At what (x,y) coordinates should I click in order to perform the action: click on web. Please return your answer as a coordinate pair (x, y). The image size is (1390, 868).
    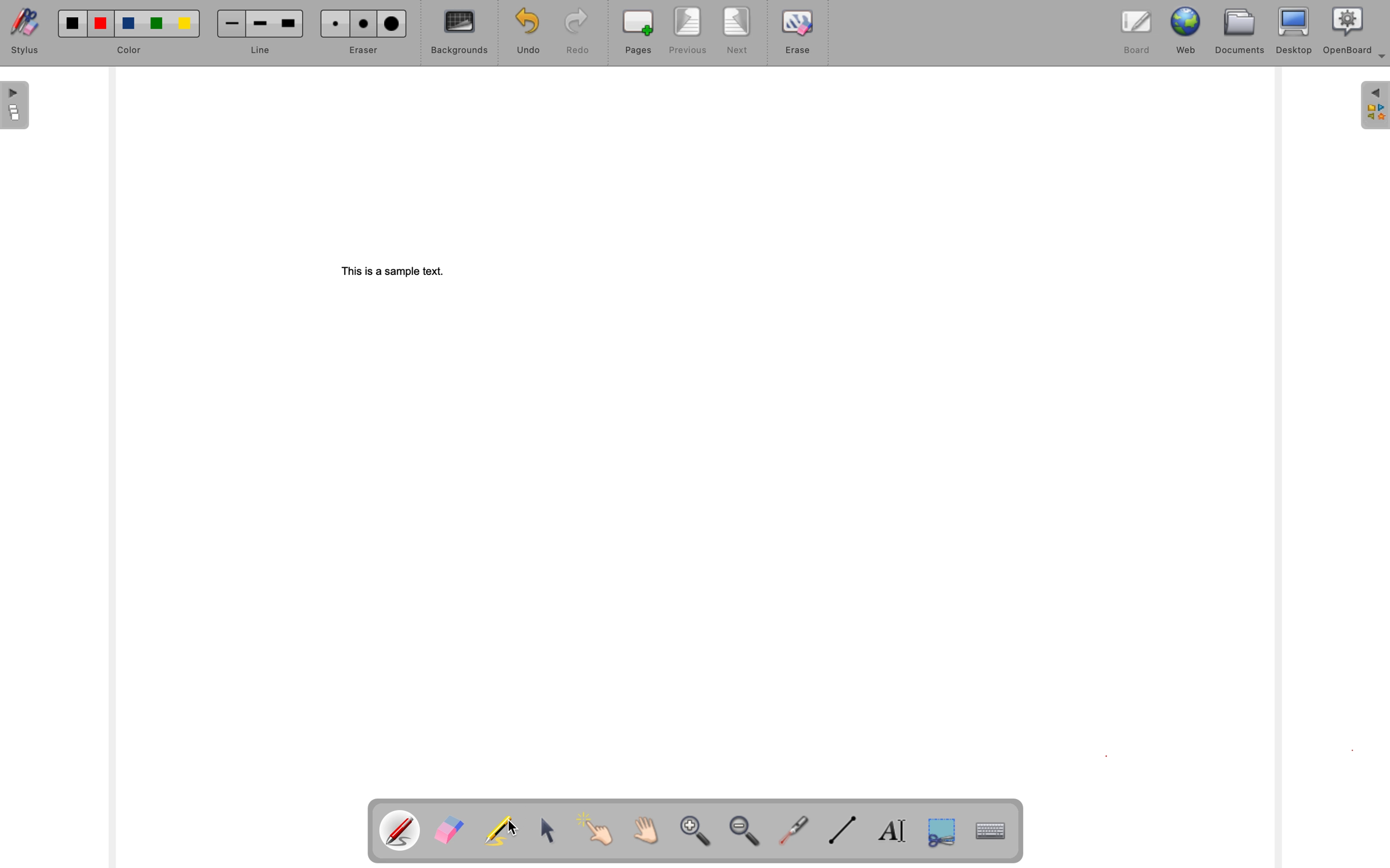
    Looking at the image, I should click on (1187, 32).